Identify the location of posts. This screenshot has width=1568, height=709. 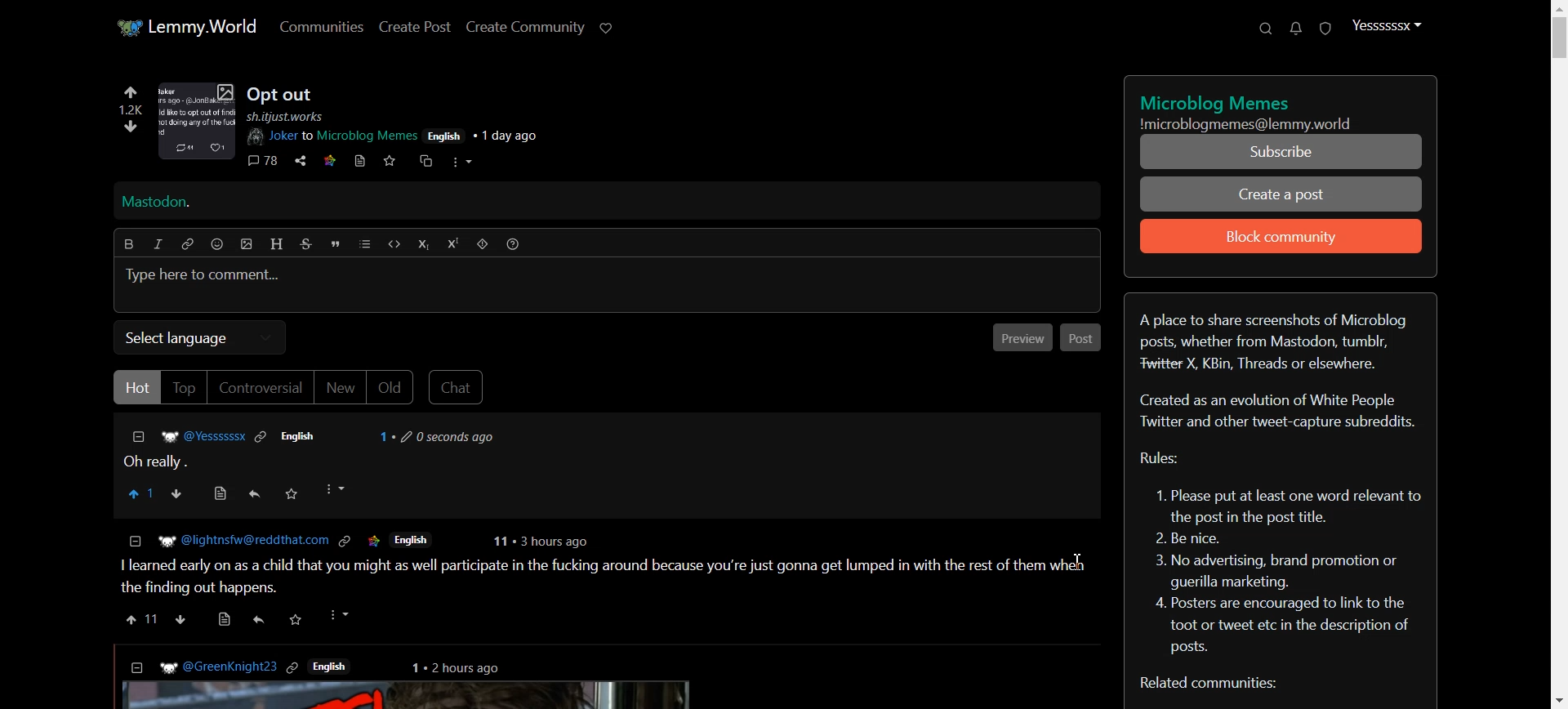
(597, 677).